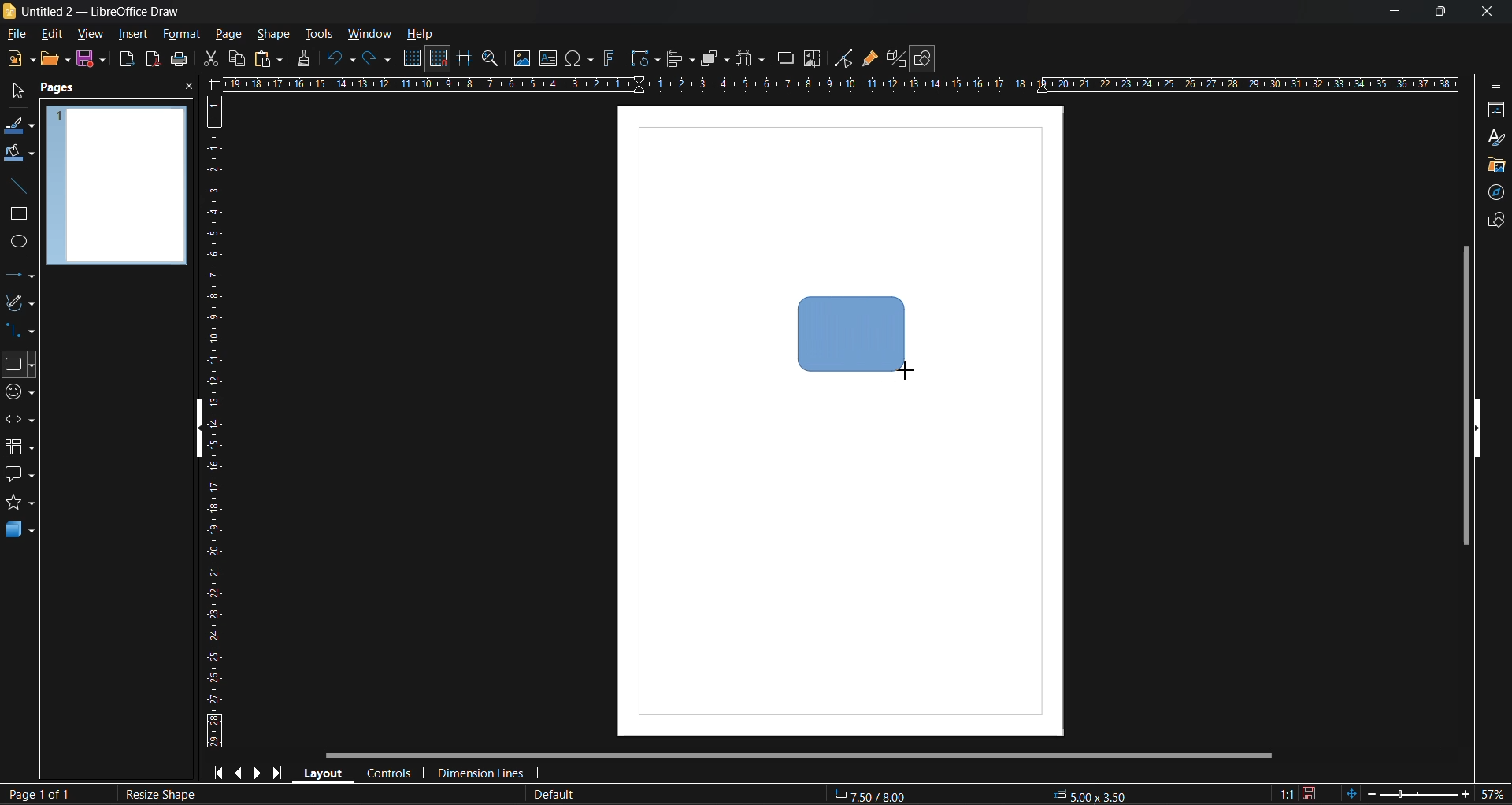  I want to click on export as pdf, so click(152, 58).